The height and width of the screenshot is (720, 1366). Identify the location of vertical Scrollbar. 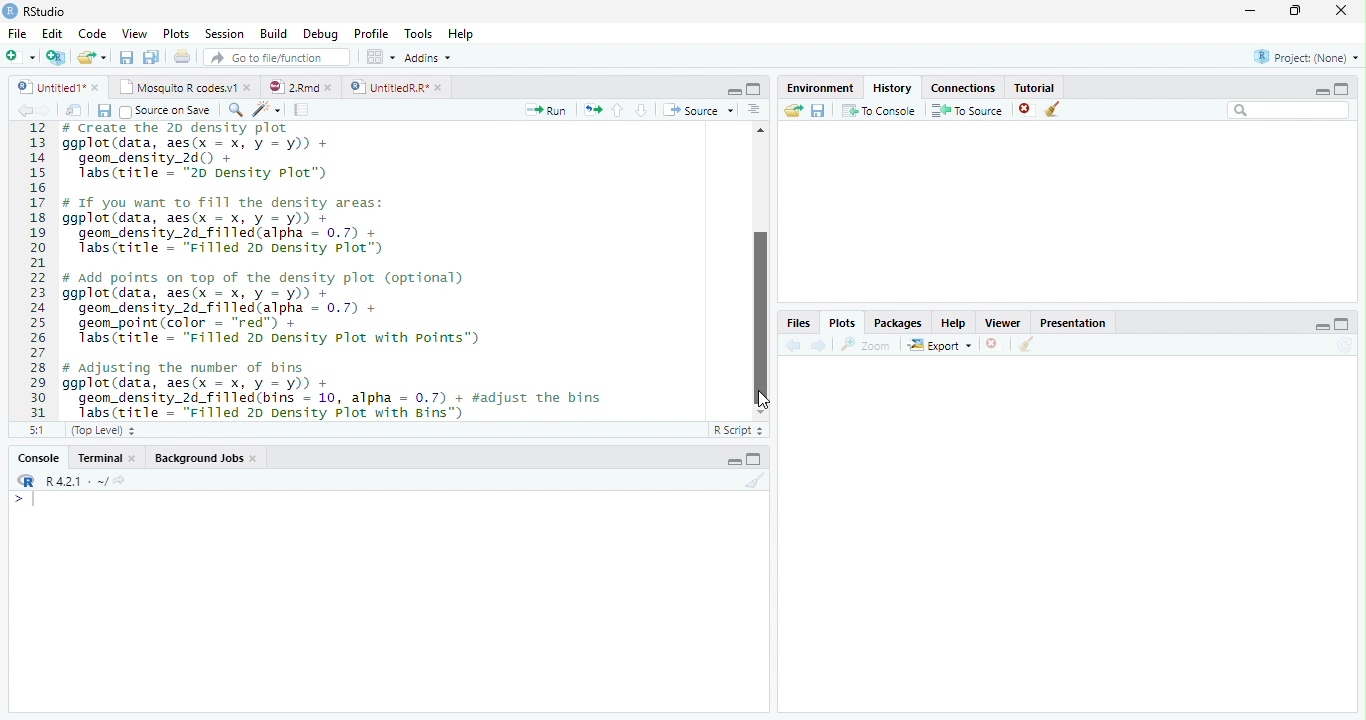
(761, 317).